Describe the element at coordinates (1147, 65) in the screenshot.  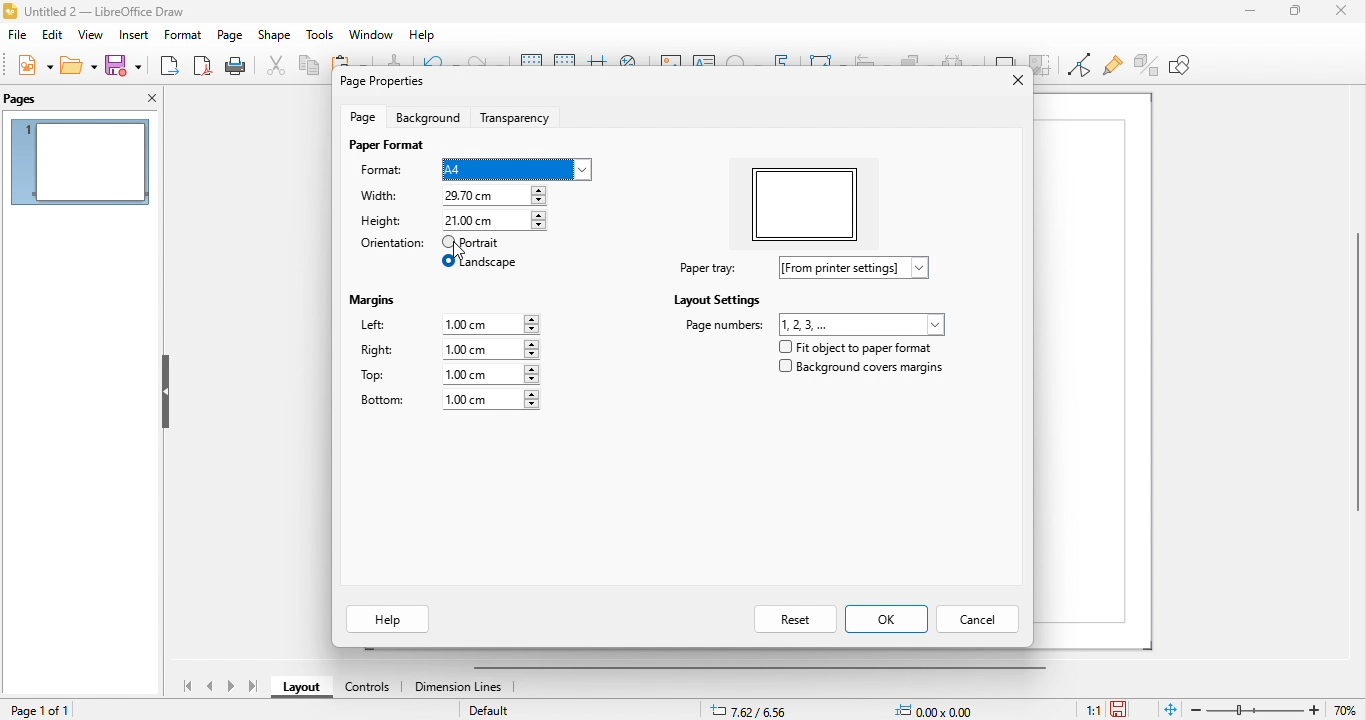
I see `toggle extrusions` at that location.